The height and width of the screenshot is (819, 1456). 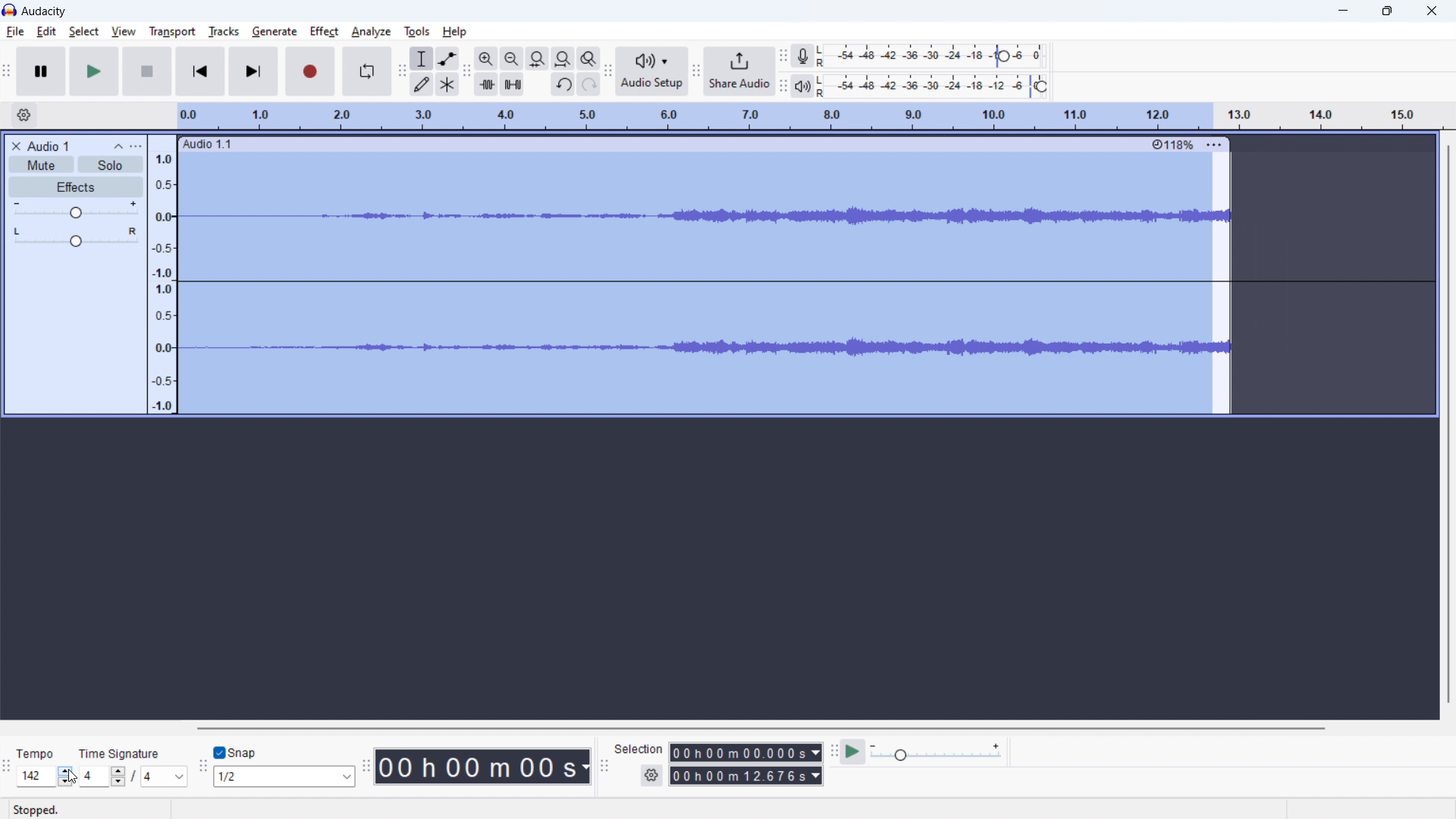 I want to click on Time signature, so click(x=123, y=753).